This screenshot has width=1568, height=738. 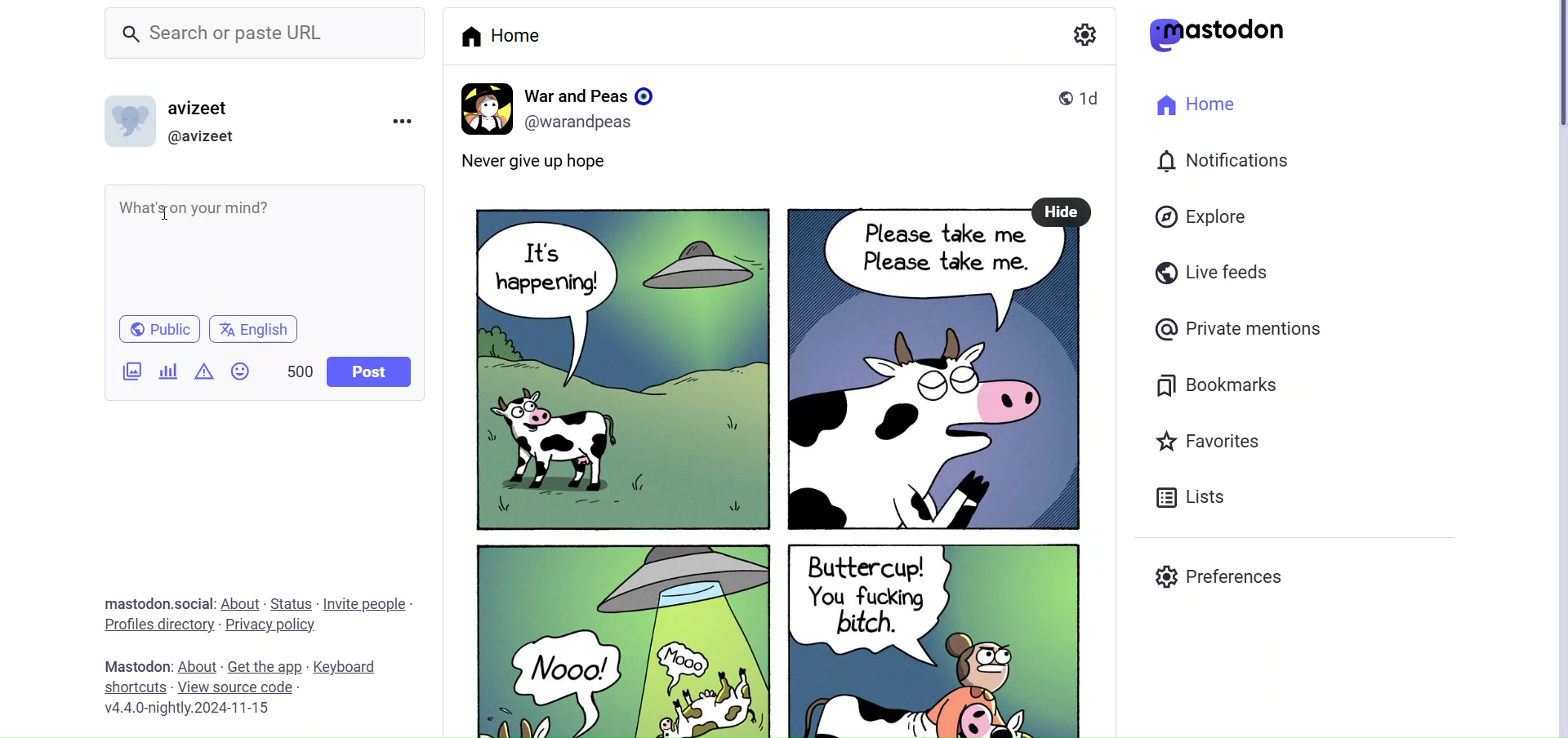 What do you see at coordinates (131, 370) in the screenshot?
I see `Add Images` at bounding box center [131, 370].